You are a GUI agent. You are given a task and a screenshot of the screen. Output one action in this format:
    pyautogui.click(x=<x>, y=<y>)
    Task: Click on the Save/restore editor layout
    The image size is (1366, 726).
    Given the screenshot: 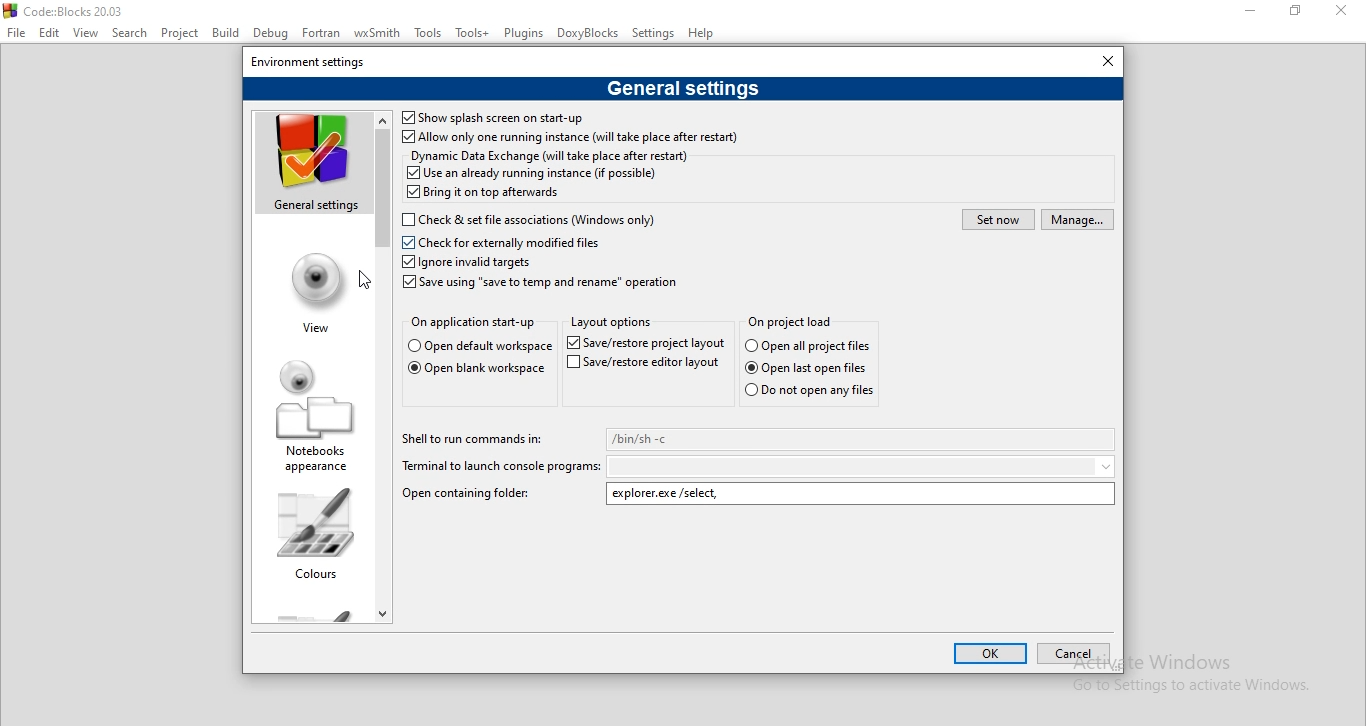 What is the action you would take?
    pyautogui.click(x=647, y=364)
    